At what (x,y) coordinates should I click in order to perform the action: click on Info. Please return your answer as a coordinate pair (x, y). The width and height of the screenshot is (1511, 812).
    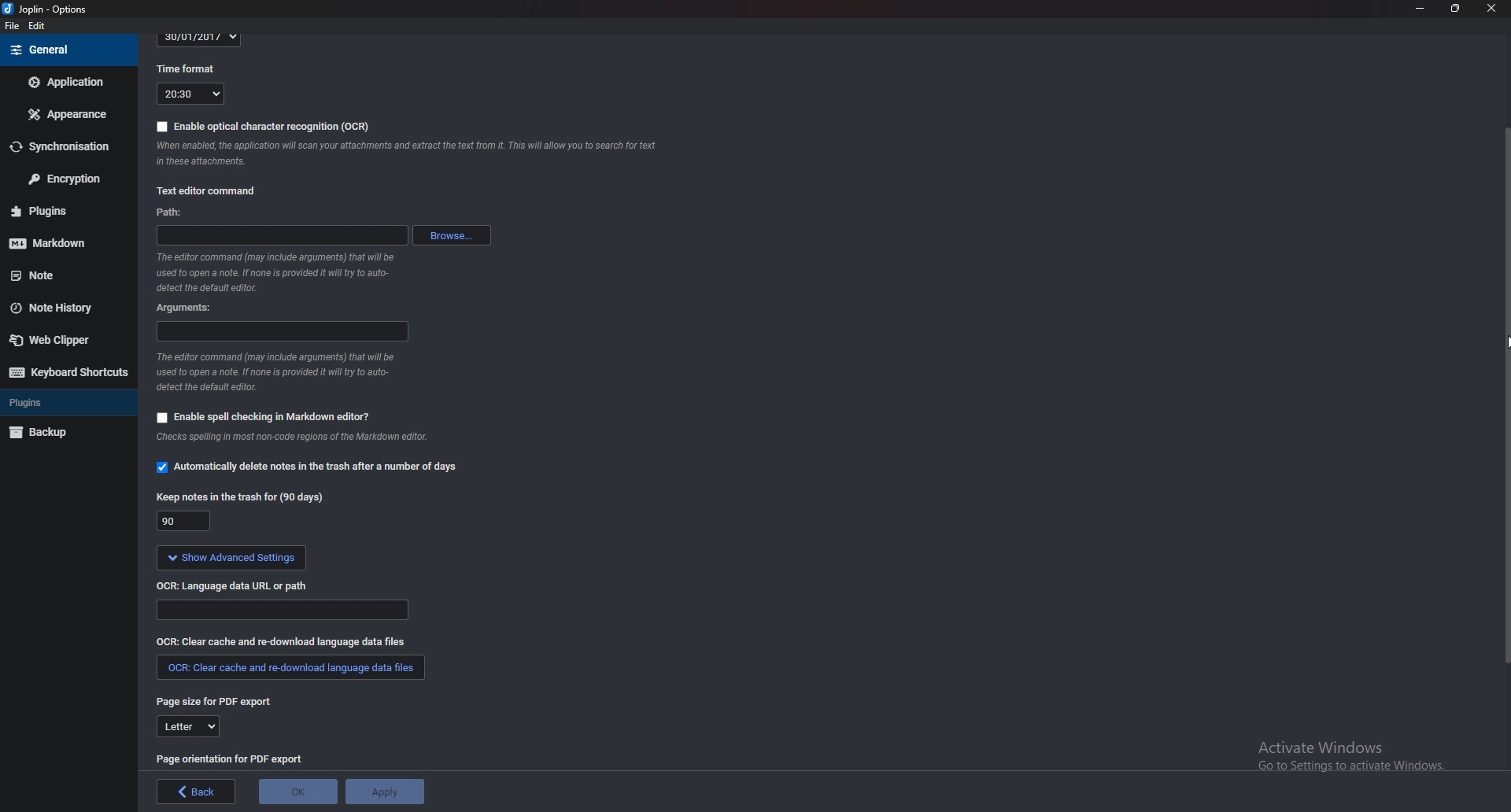
    Looking at the image, I should click on (304, 439).